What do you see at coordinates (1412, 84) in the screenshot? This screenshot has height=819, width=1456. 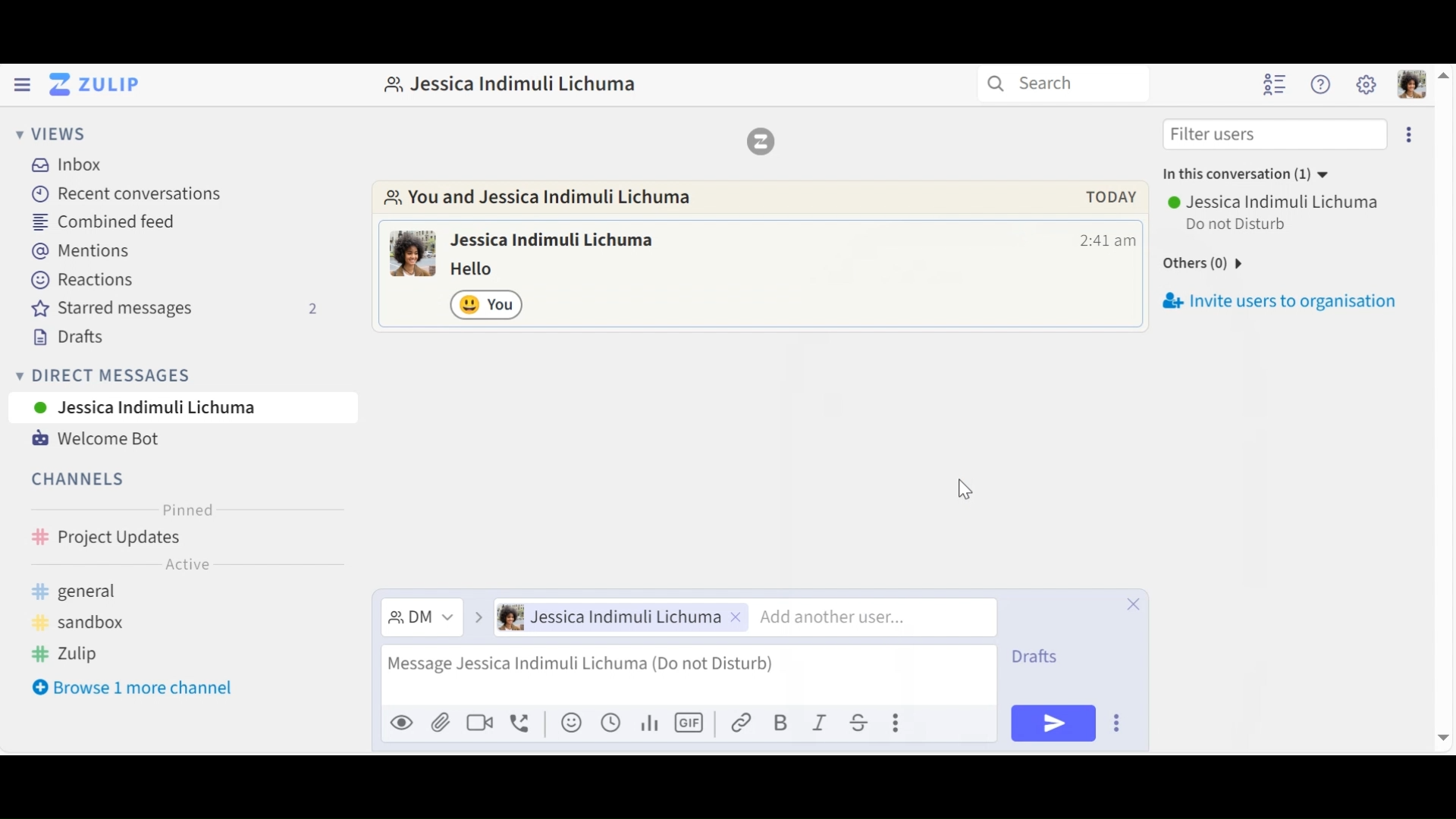 I see `Personal menu` at bounding box center [1412, 84].